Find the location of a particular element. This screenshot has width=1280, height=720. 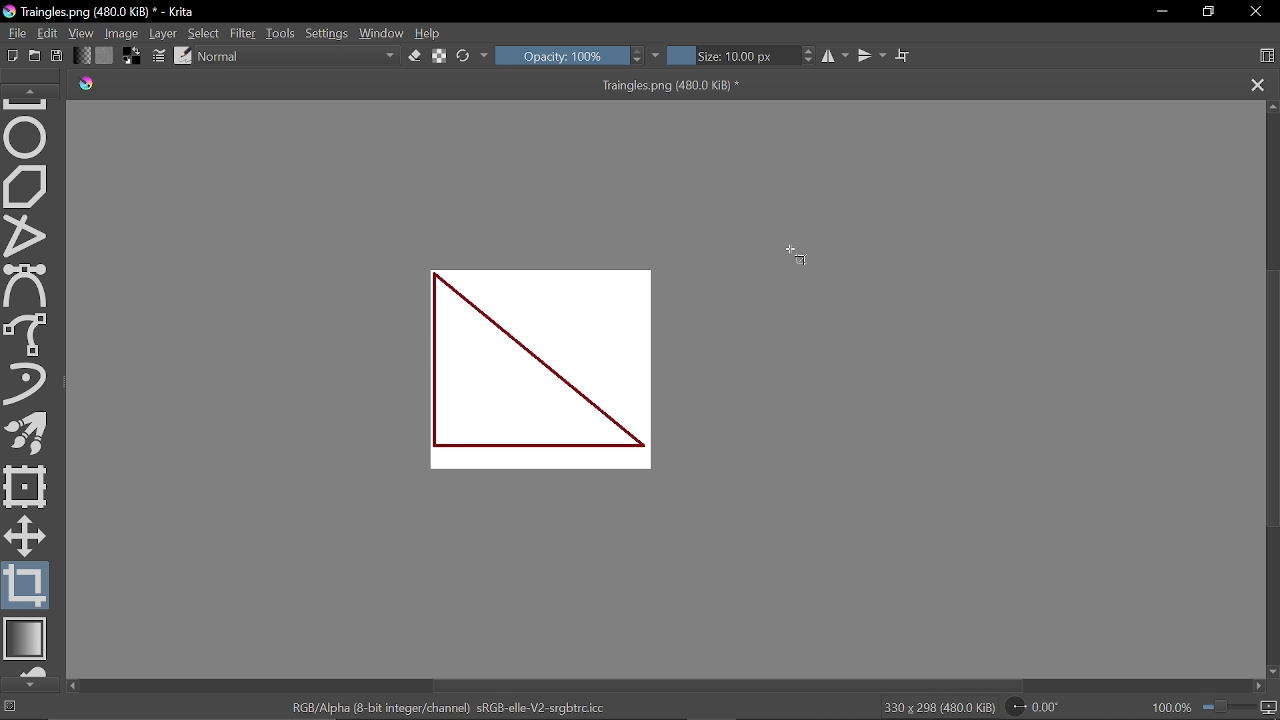

Bezier select tool is located at coordinates (25, 286).